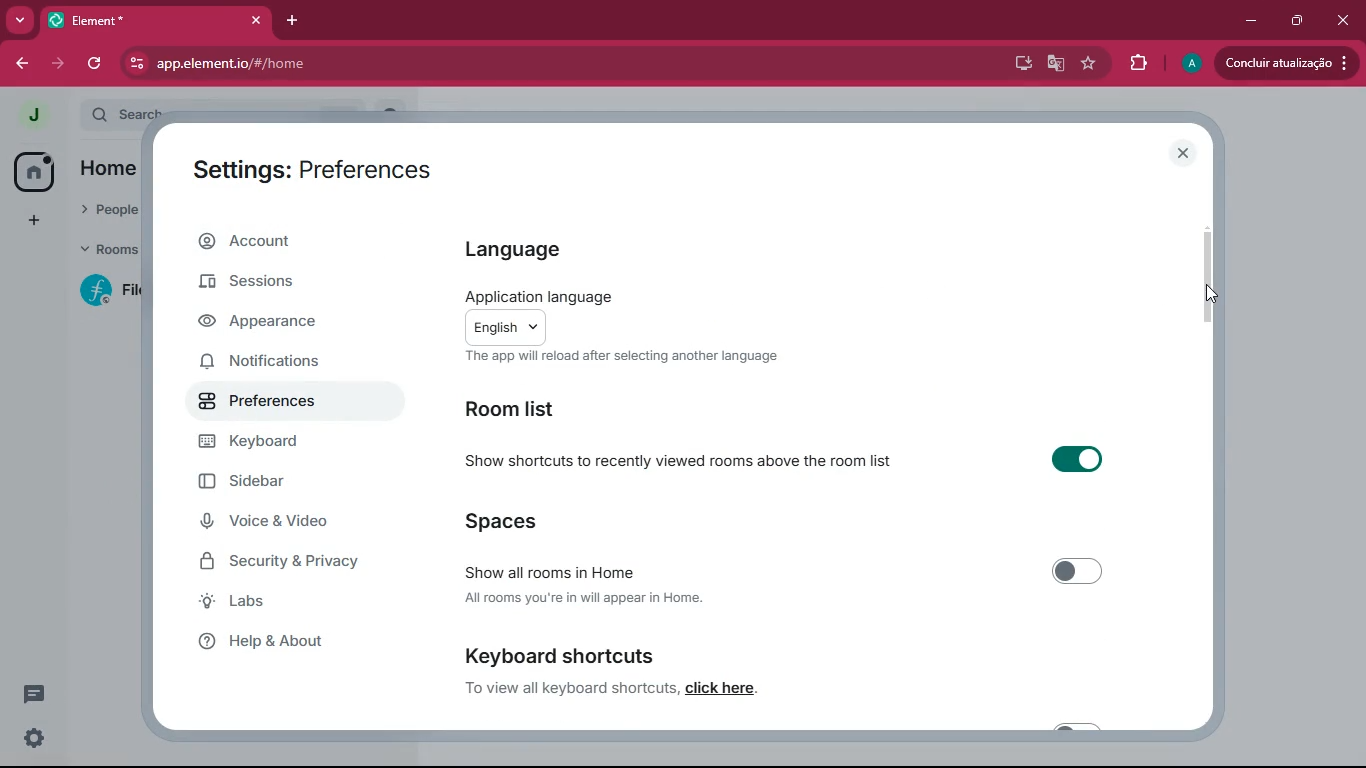  Describe the element at coordinates (290, 647) in the screenshot. I see `help` at that location.